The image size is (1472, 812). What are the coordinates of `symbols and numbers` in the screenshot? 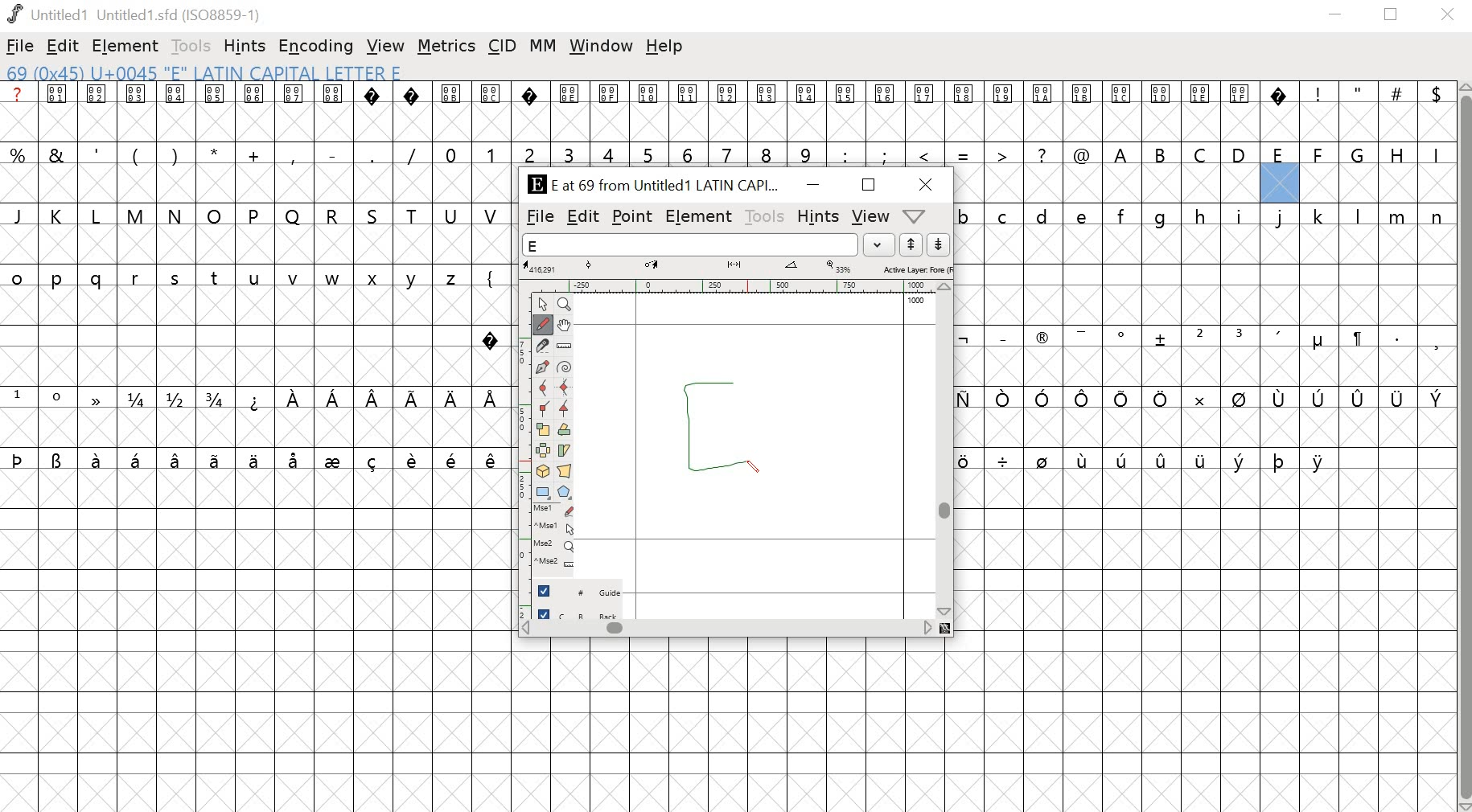 It's located at (550, 153).